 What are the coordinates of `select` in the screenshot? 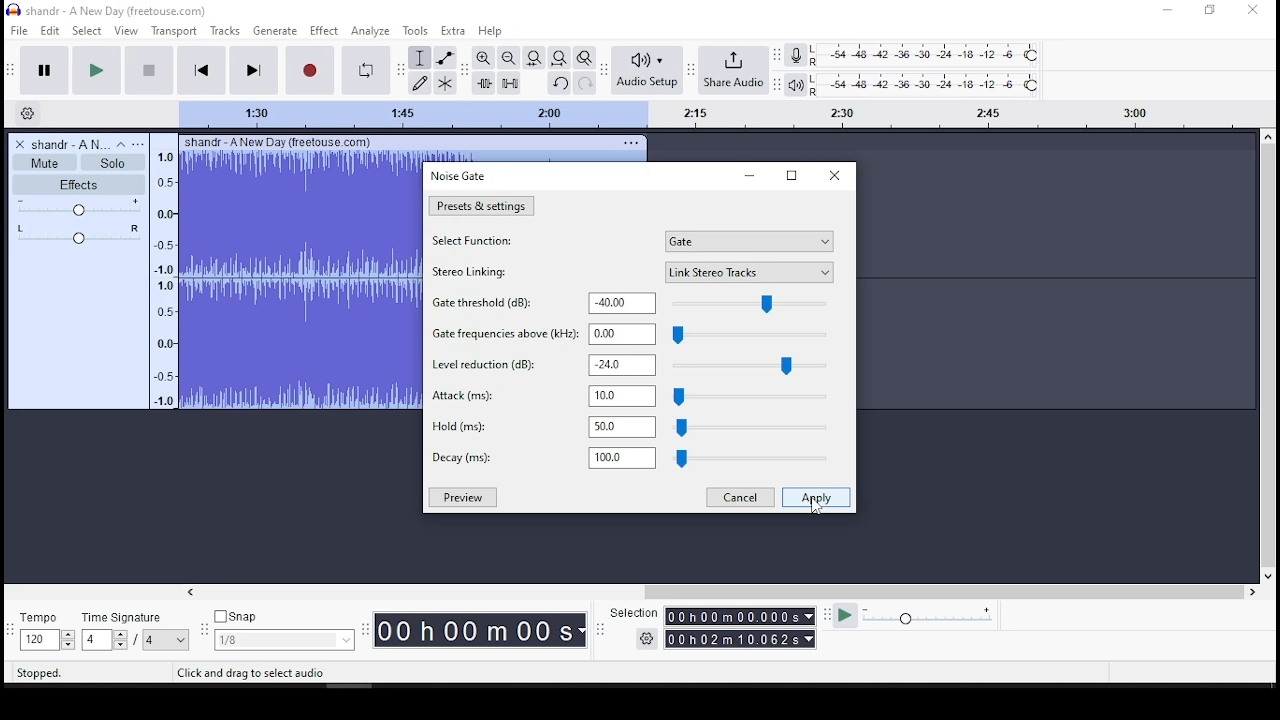 It's located at (88, 31).